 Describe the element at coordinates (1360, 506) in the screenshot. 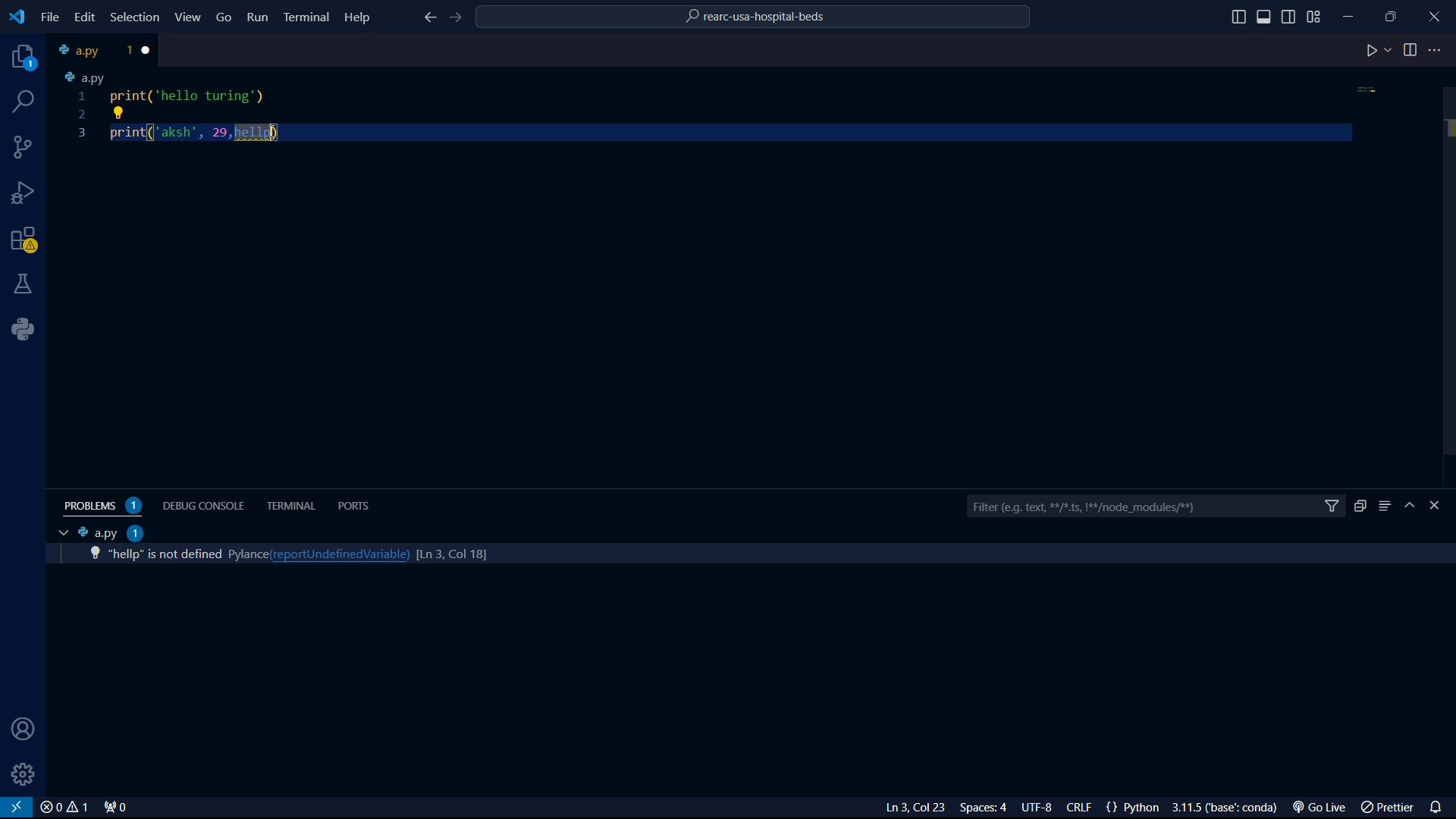

I see `duplicate` at that location.